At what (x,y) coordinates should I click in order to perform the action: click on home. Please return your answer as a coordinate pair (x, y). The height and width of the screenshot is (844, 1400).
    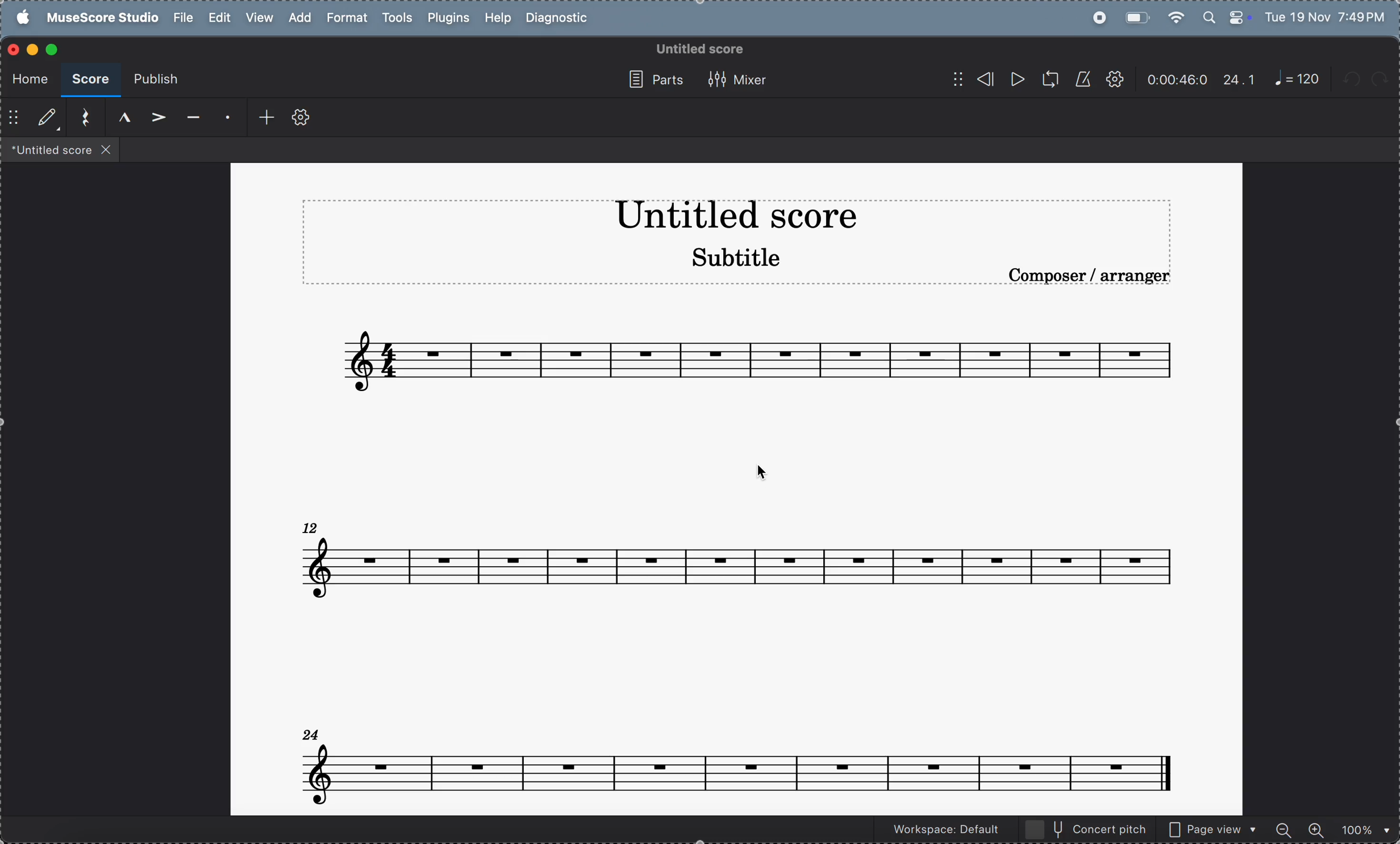
    Looking at the image, I should click on (27, 77).